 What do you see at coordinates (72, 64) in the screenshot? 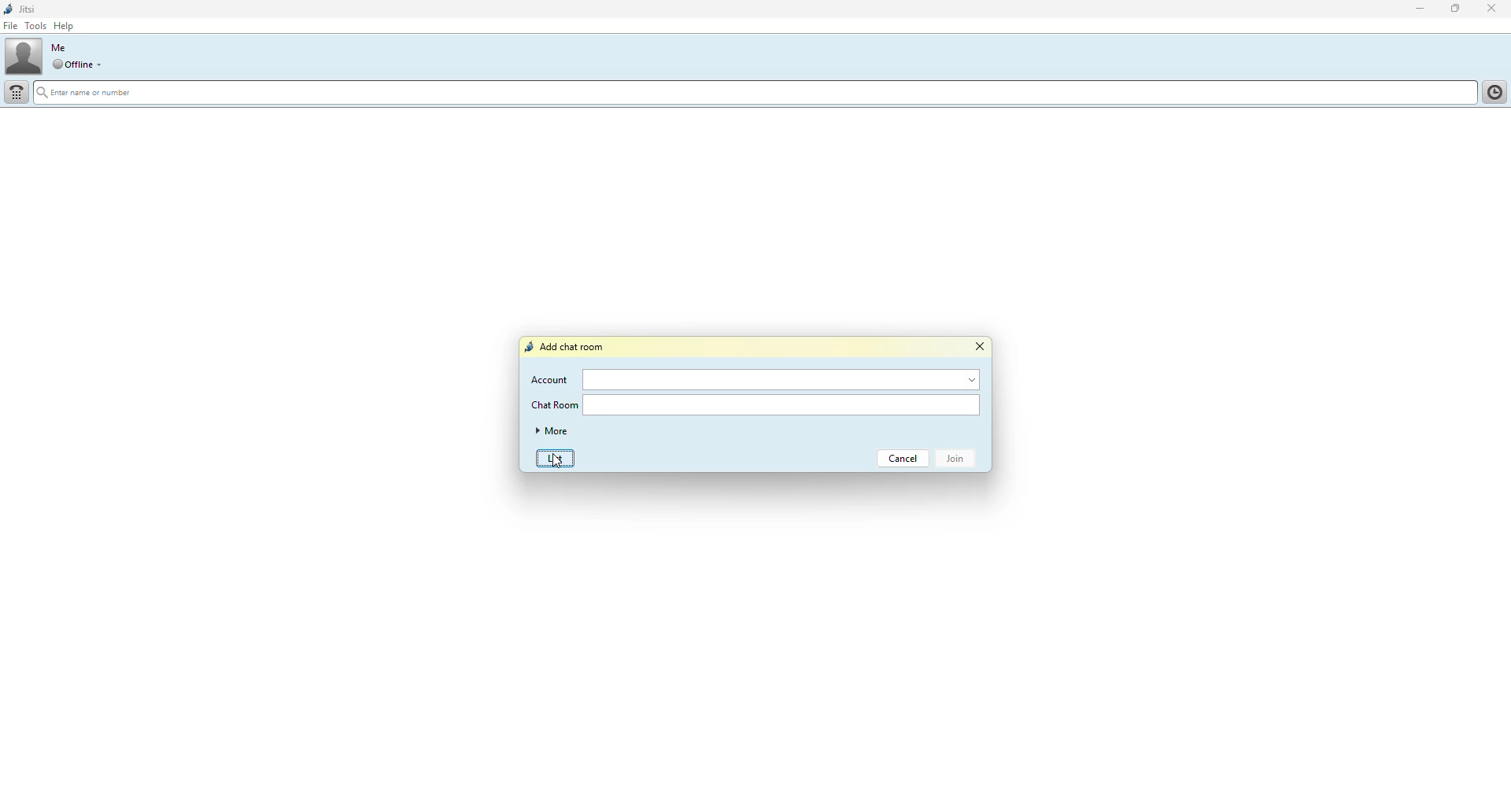
I see `offline` at bounding box center [72, 64].